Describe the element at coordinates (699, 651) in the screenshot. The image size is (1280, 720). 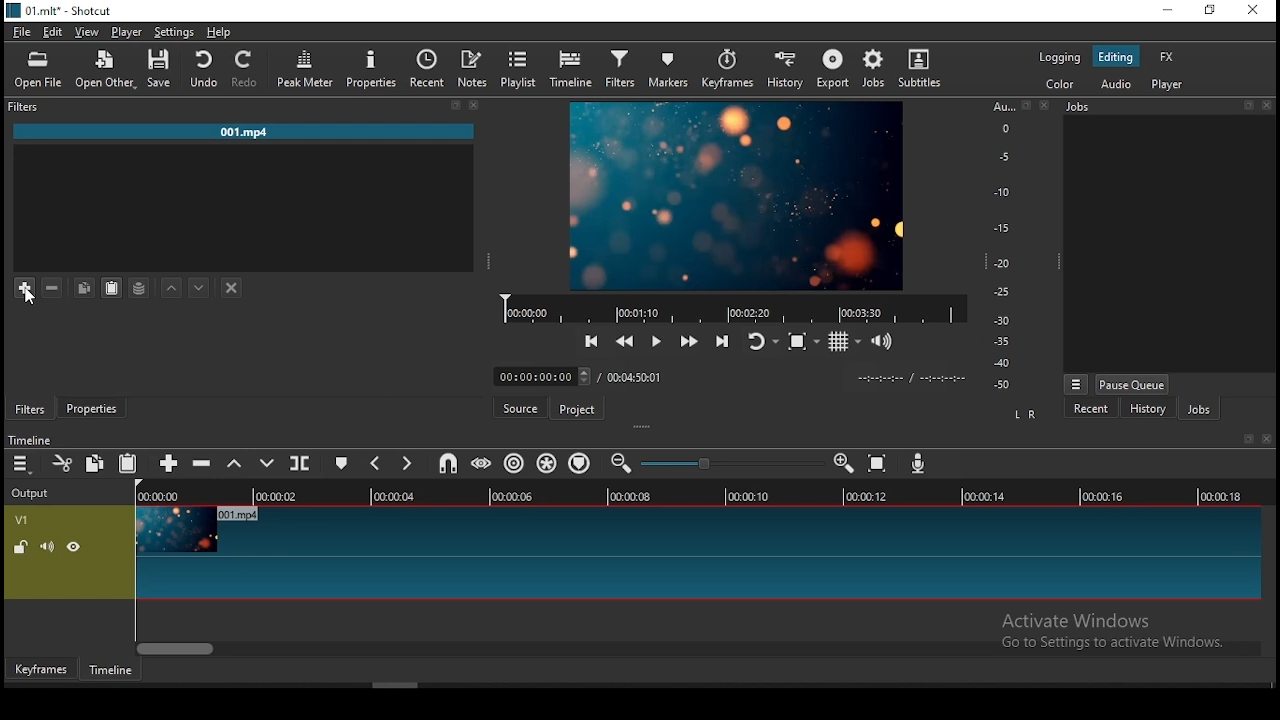
I see `scroll bar` at that location.